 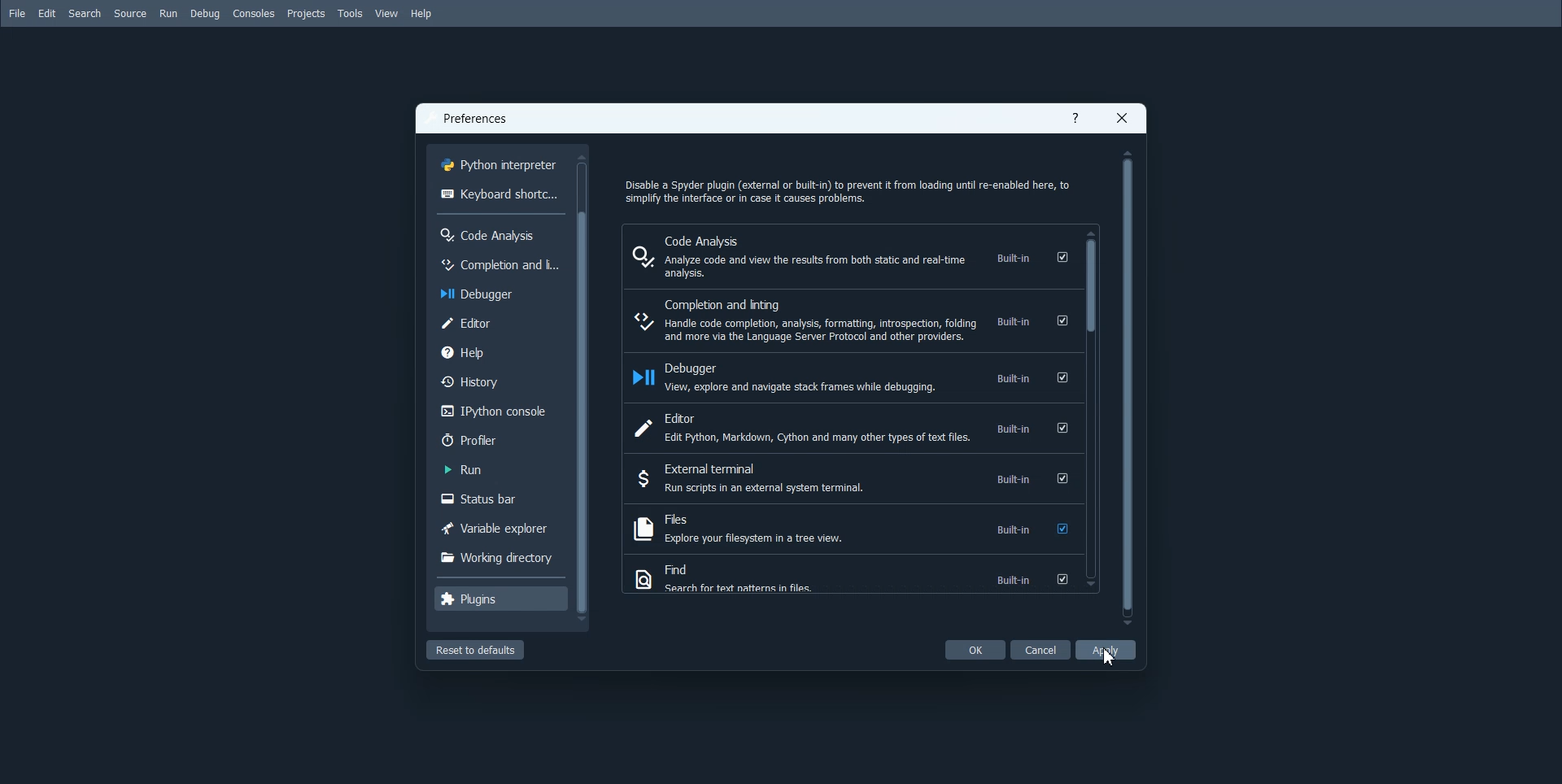 I want to click on OK, so click(x=975, y=650).